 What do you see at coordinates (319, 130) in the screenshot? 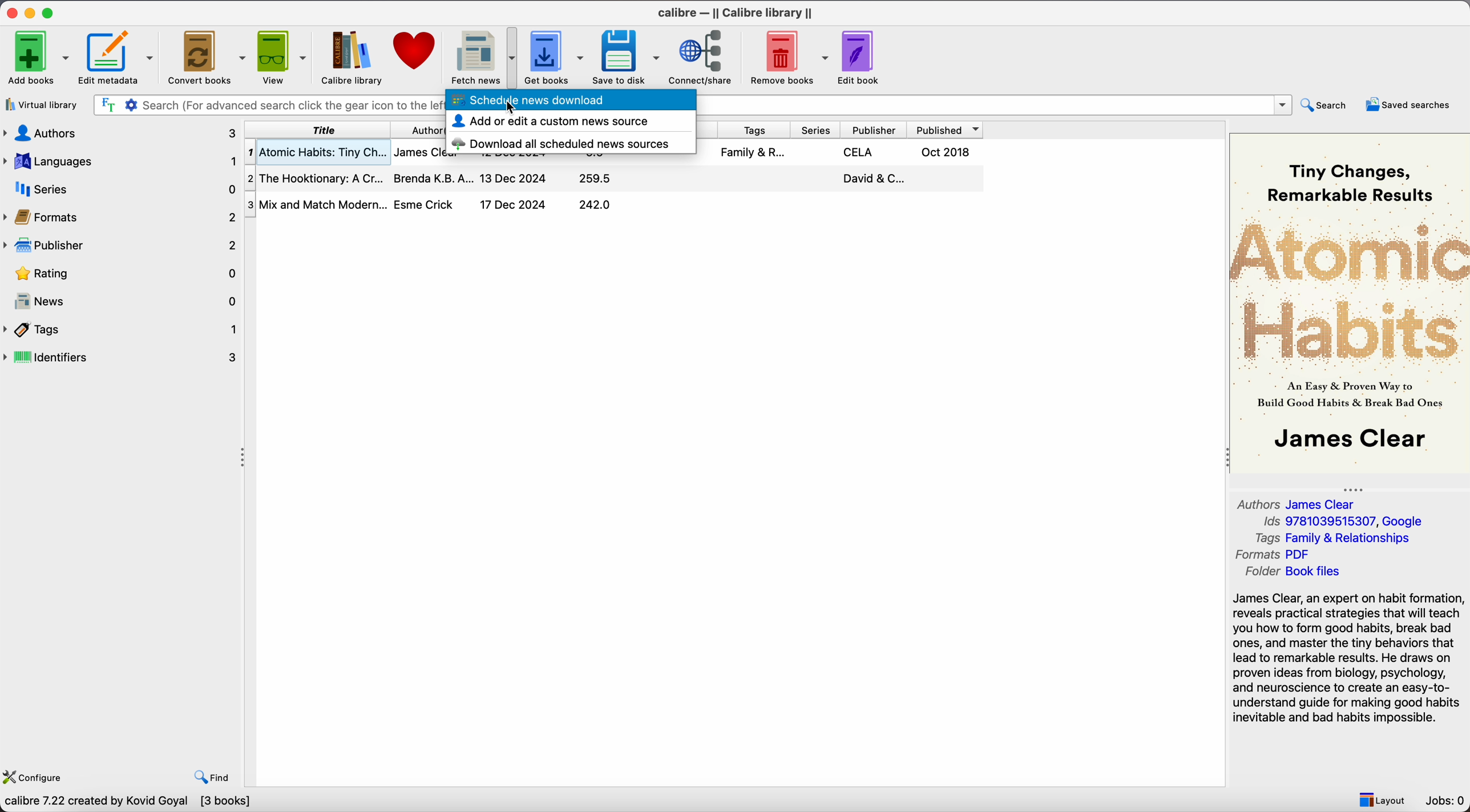
I see `title` at bounding box center [319, 130].